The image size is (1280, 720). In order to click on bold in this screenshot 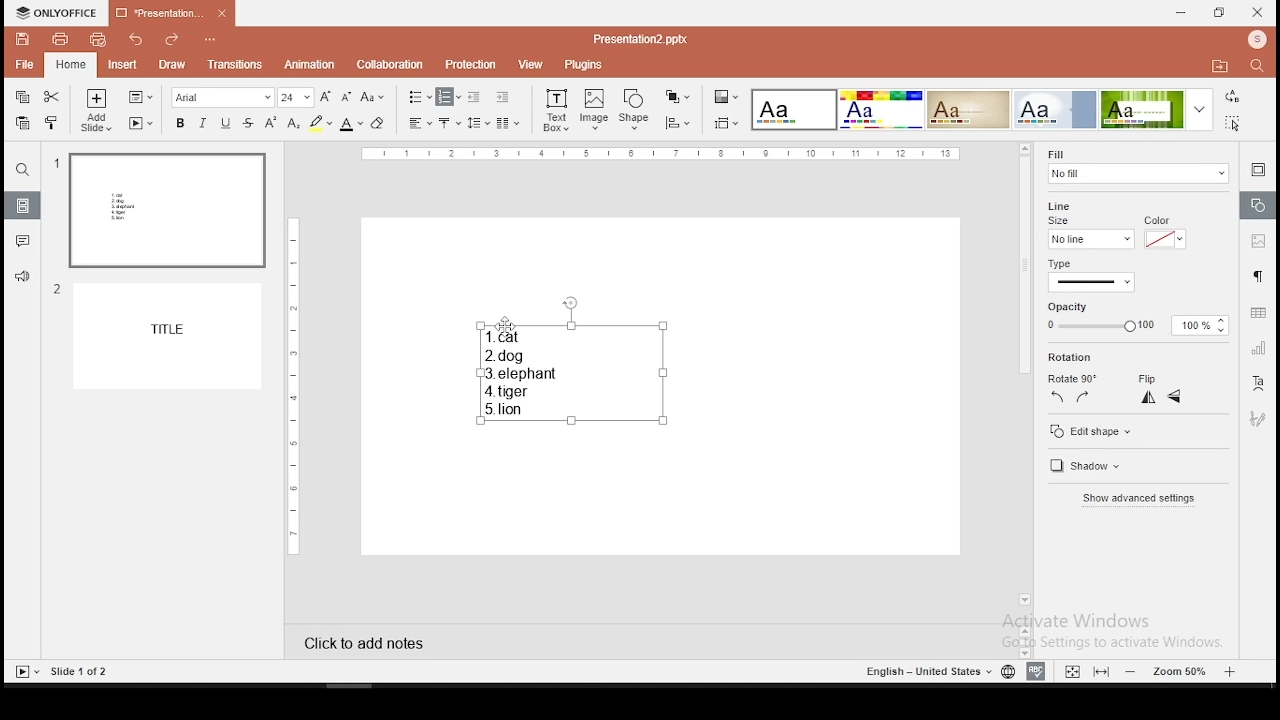, I will do `click(178, 122)`.